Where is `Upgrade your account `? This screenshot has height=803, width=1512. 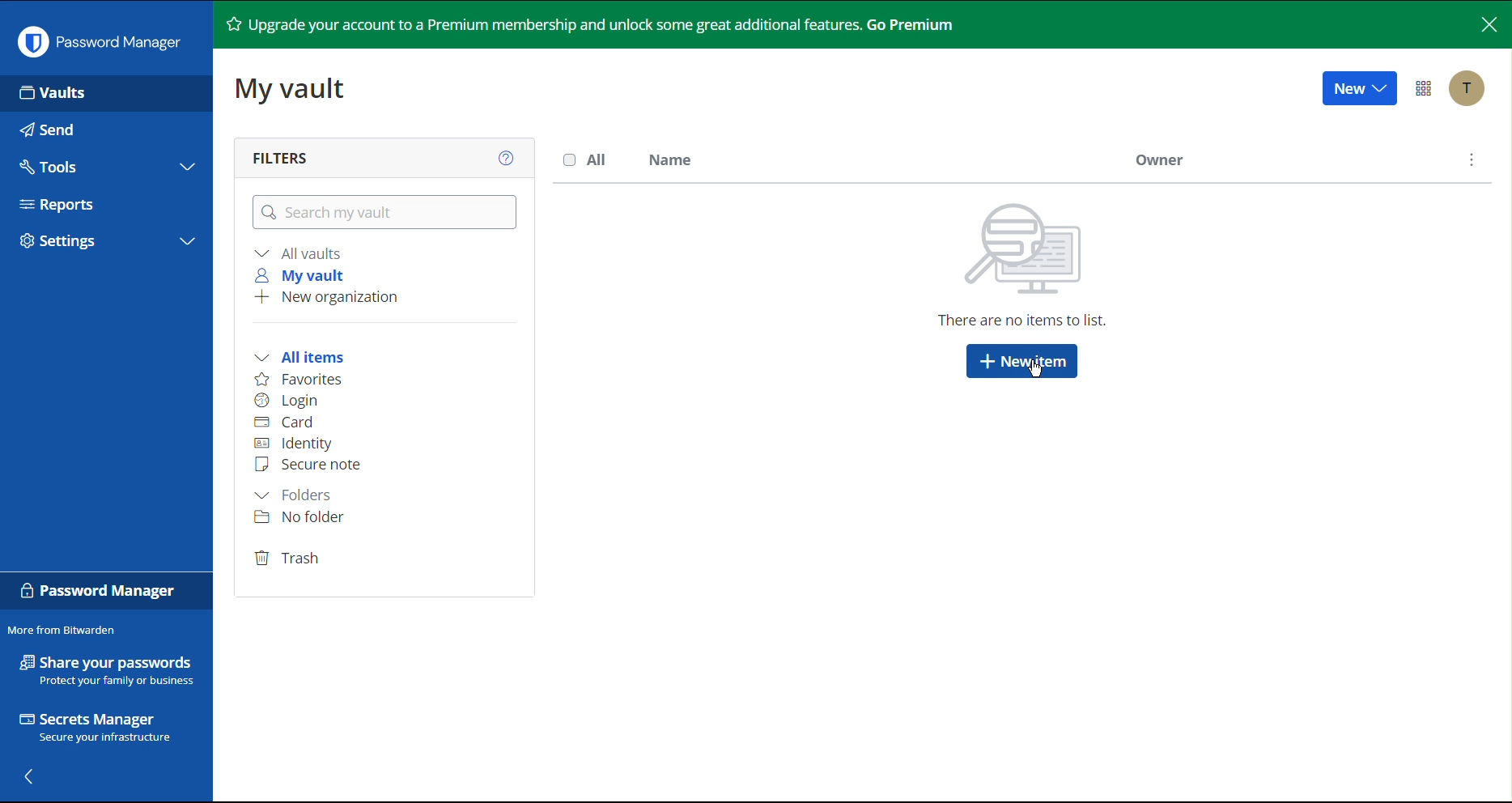
Upgrade your account  is located at coordinates (611, 23).